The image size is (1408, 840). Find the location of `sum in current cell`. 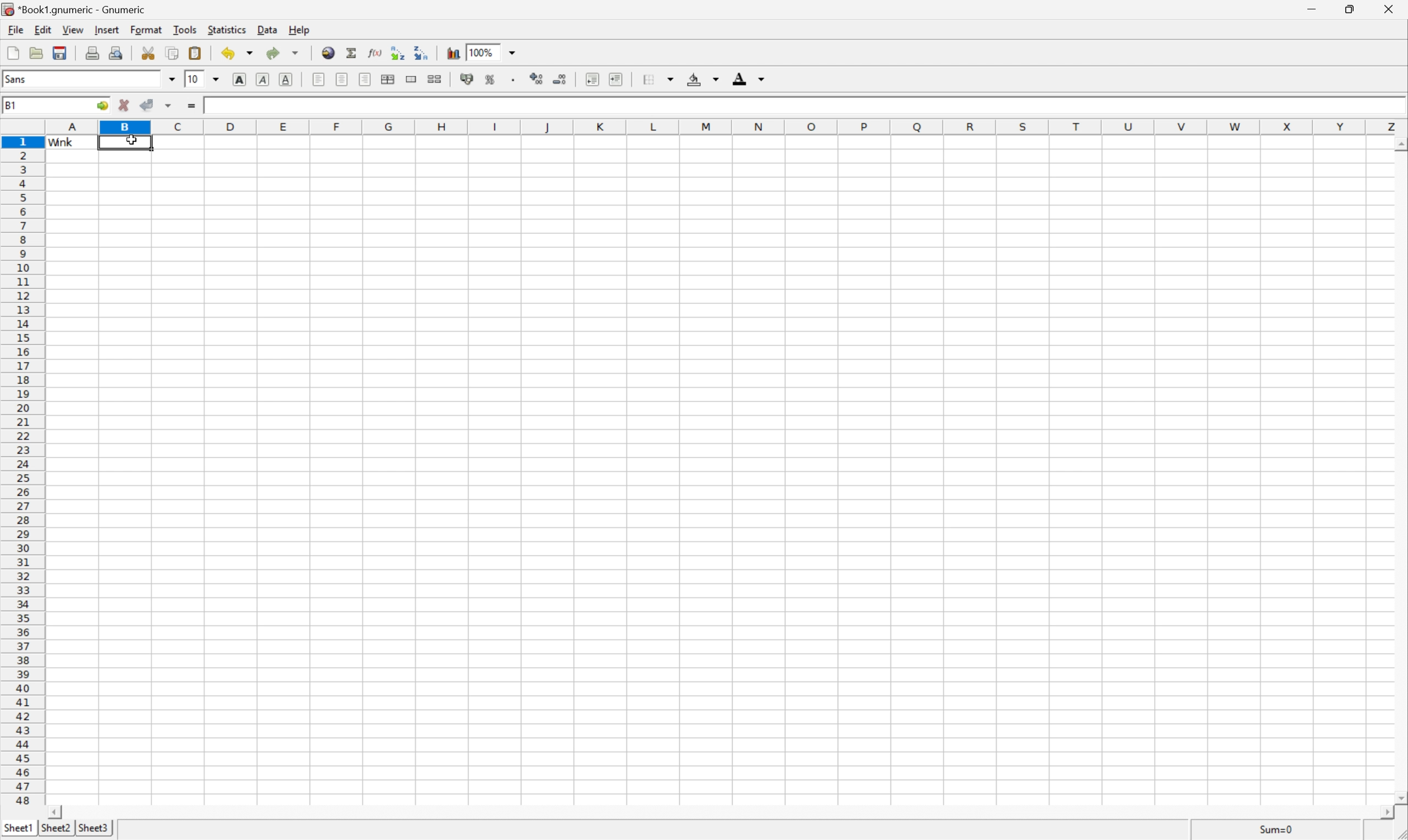

sum in current cell is located at coordinates (351, 52).